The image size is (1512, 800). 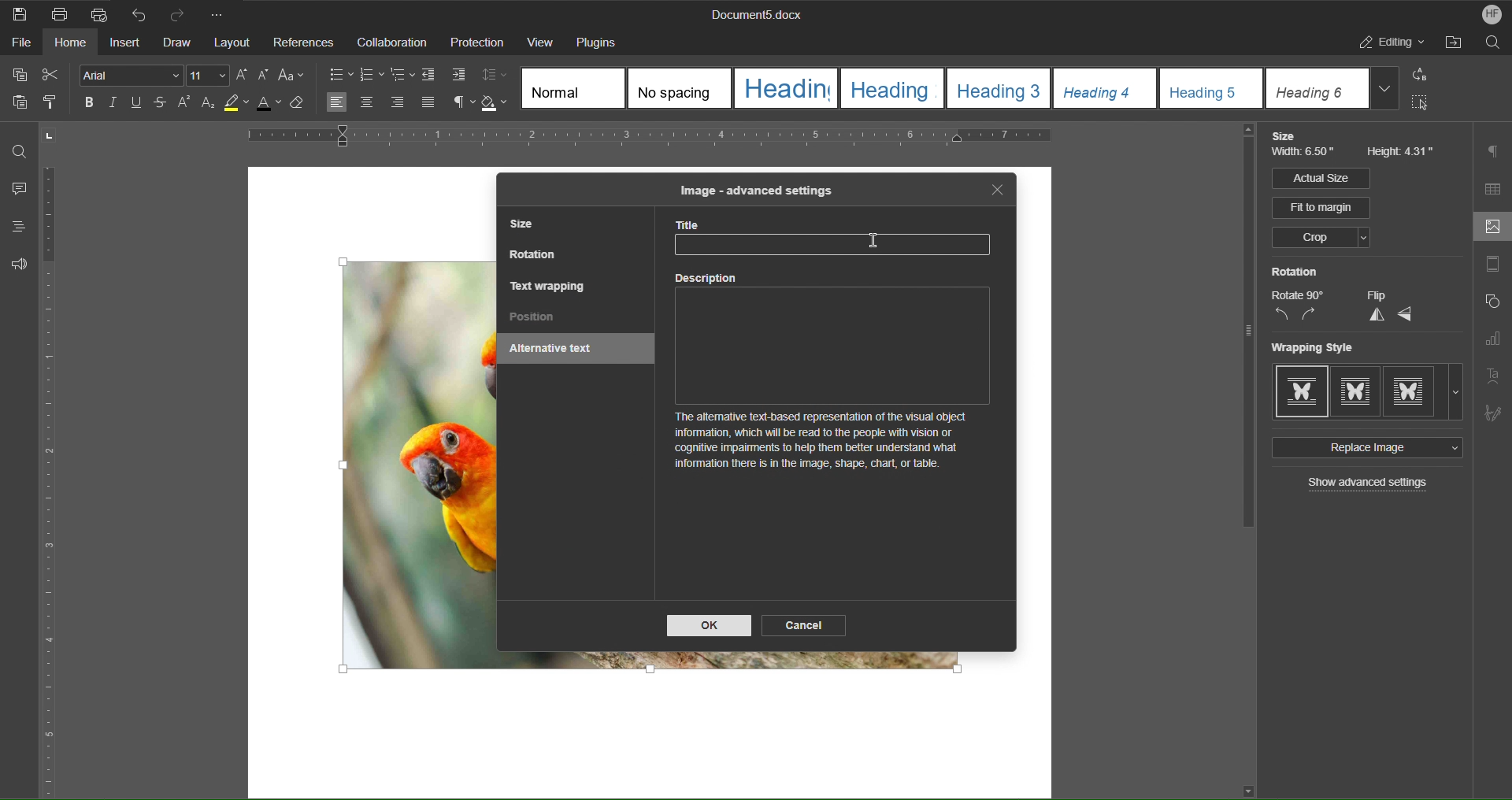 I want to click on Lists, so click(x=372, y=74).